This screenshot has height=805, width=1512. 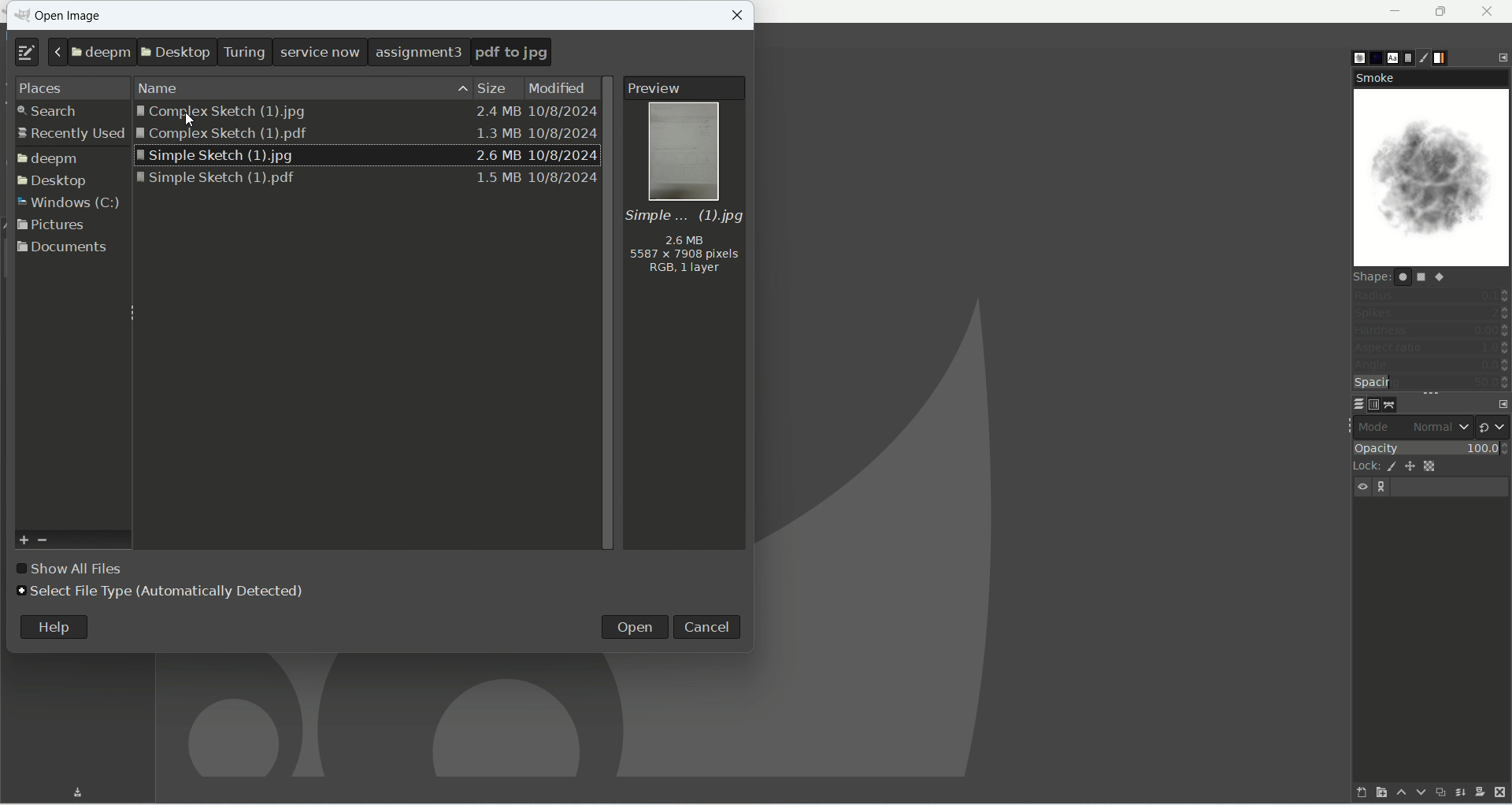 I want to click on | Complex Sketch, so click(x=368, y=136).